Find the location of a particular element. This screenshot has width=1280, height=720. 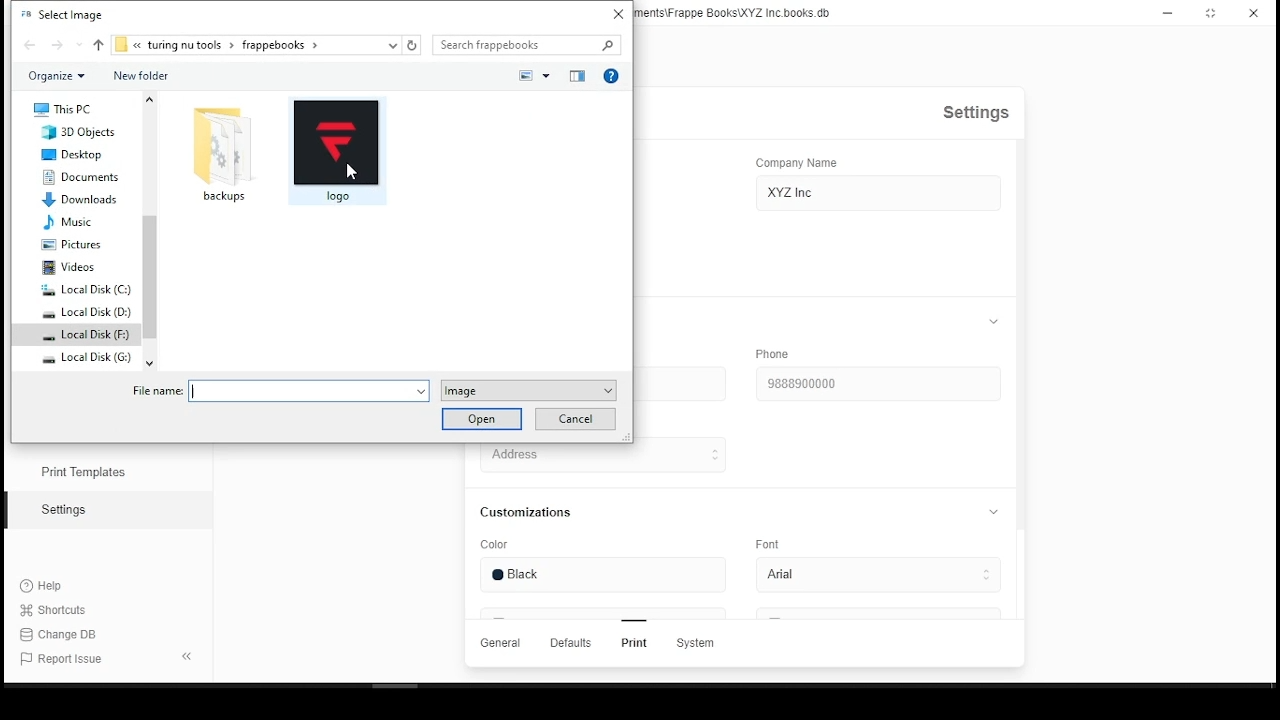

open is located at coordinates (480, 420).